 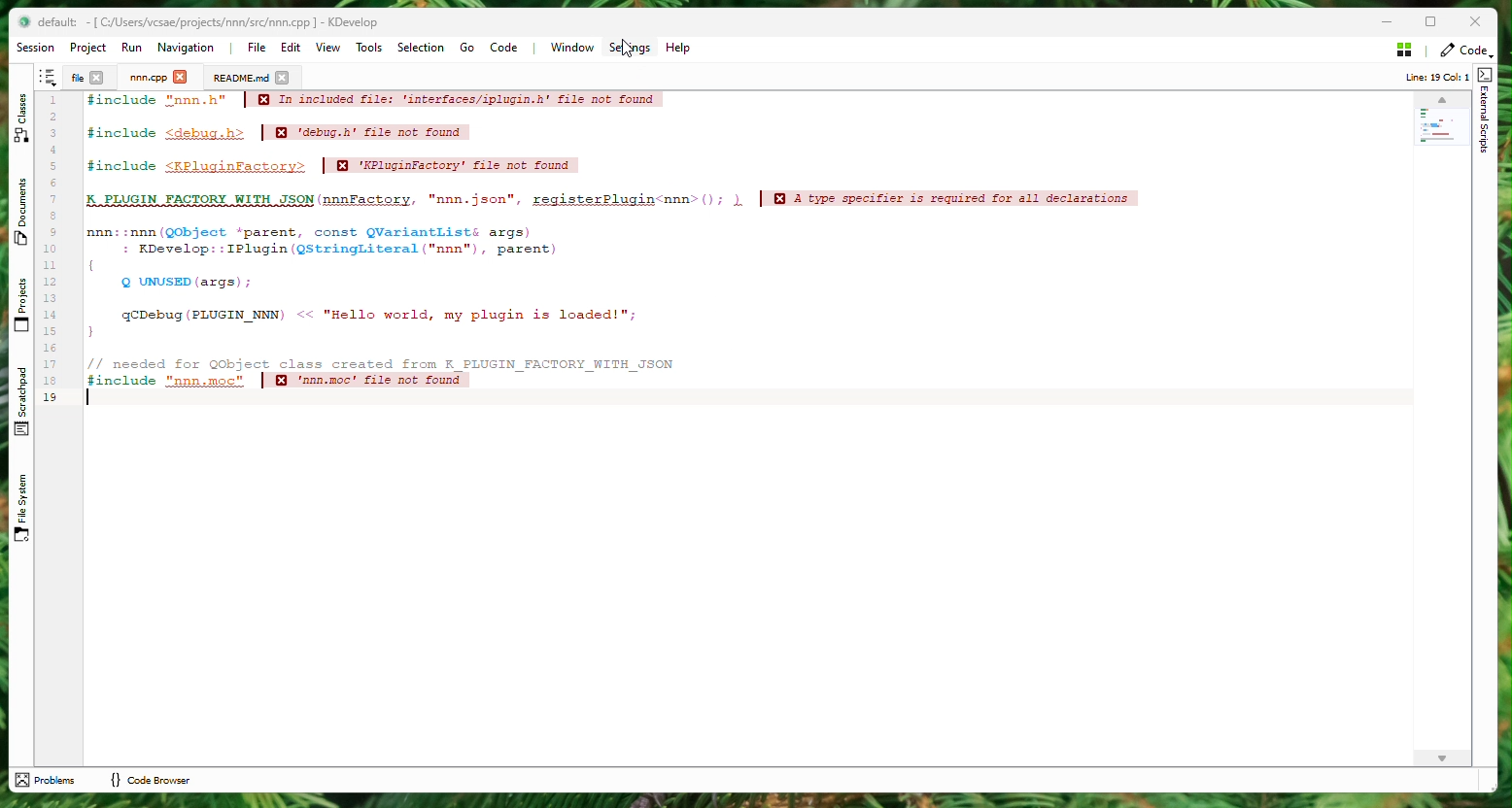 What do you see at coordinates (75, 77) in the screenshot?
I see `File` at bounding box center [75, 77].